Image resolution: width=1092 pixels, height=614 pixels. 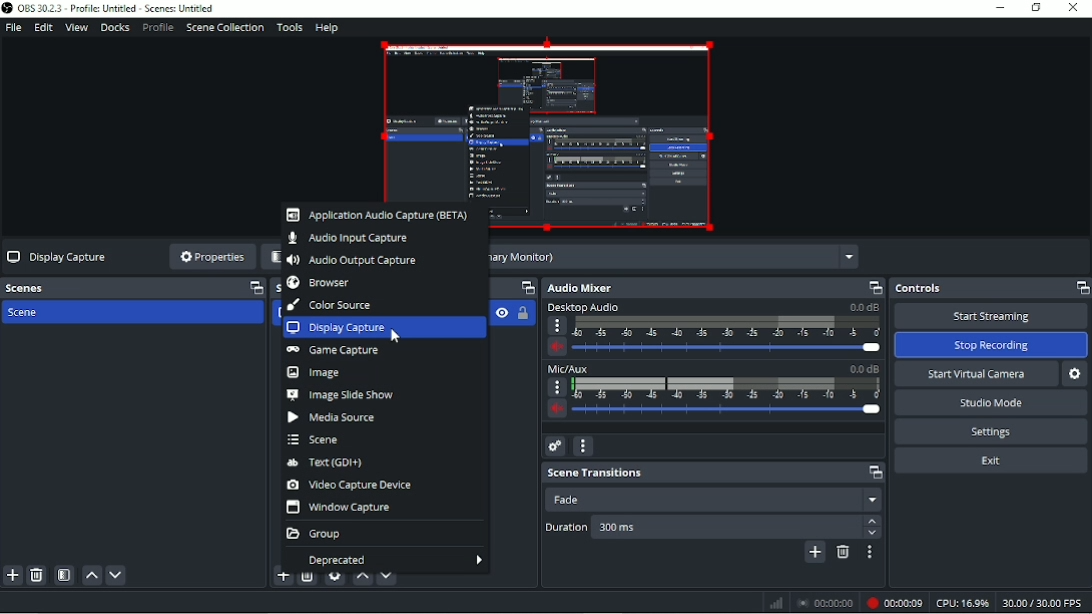 What do you see at coordinates (43, 27) in the screenshot?
I see `Edit` at bounding box center [43, 27].